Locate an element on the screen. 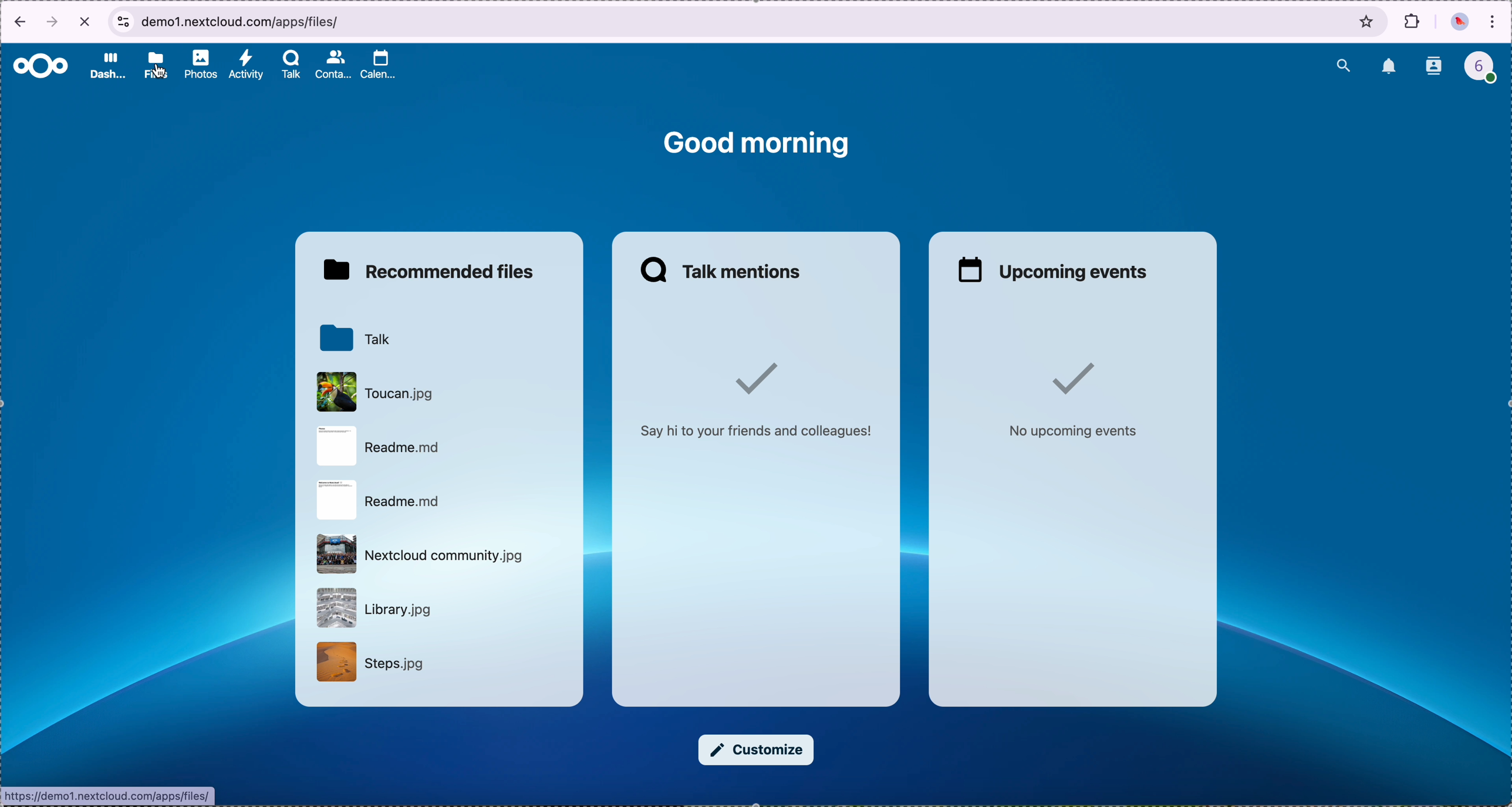  toucan.jpg is located at coordinates (377, 392).